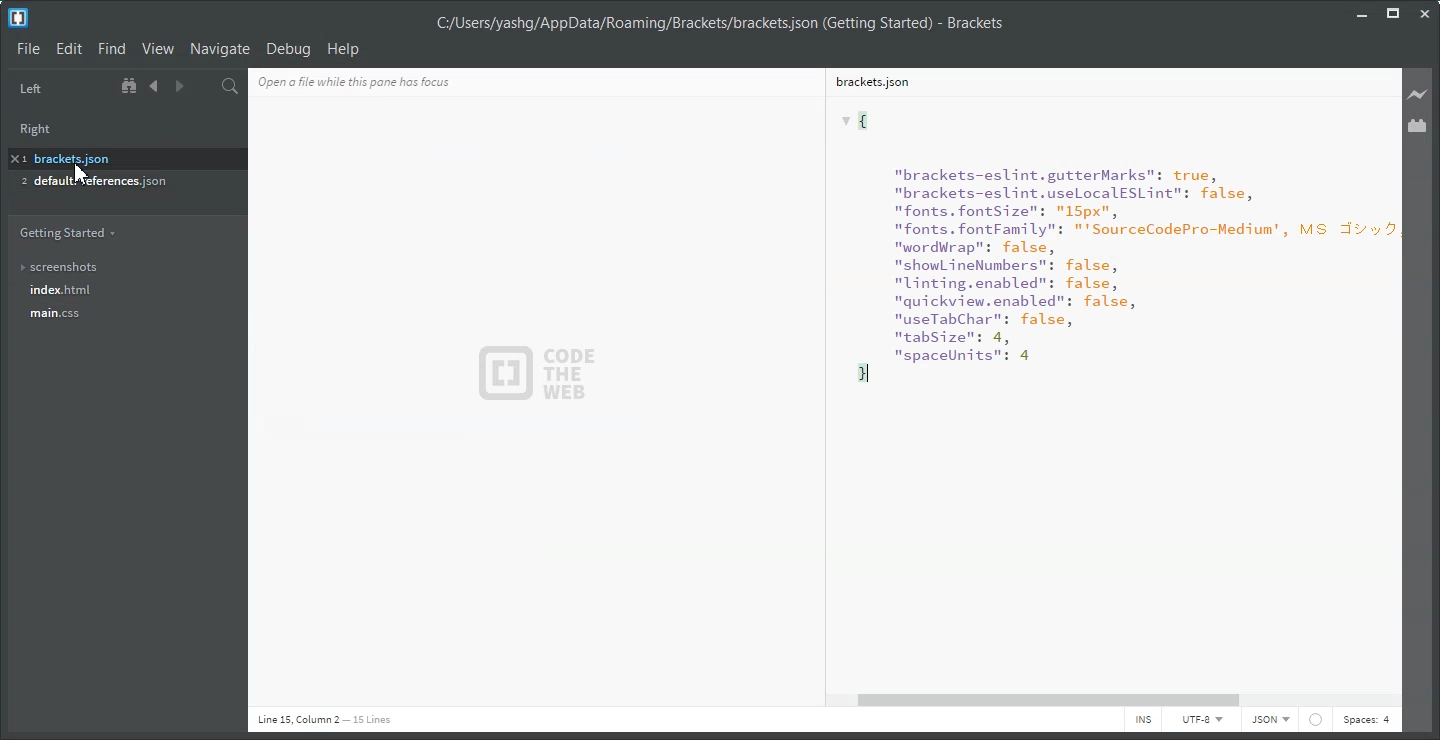  I want to click on File, so click(28, 48).